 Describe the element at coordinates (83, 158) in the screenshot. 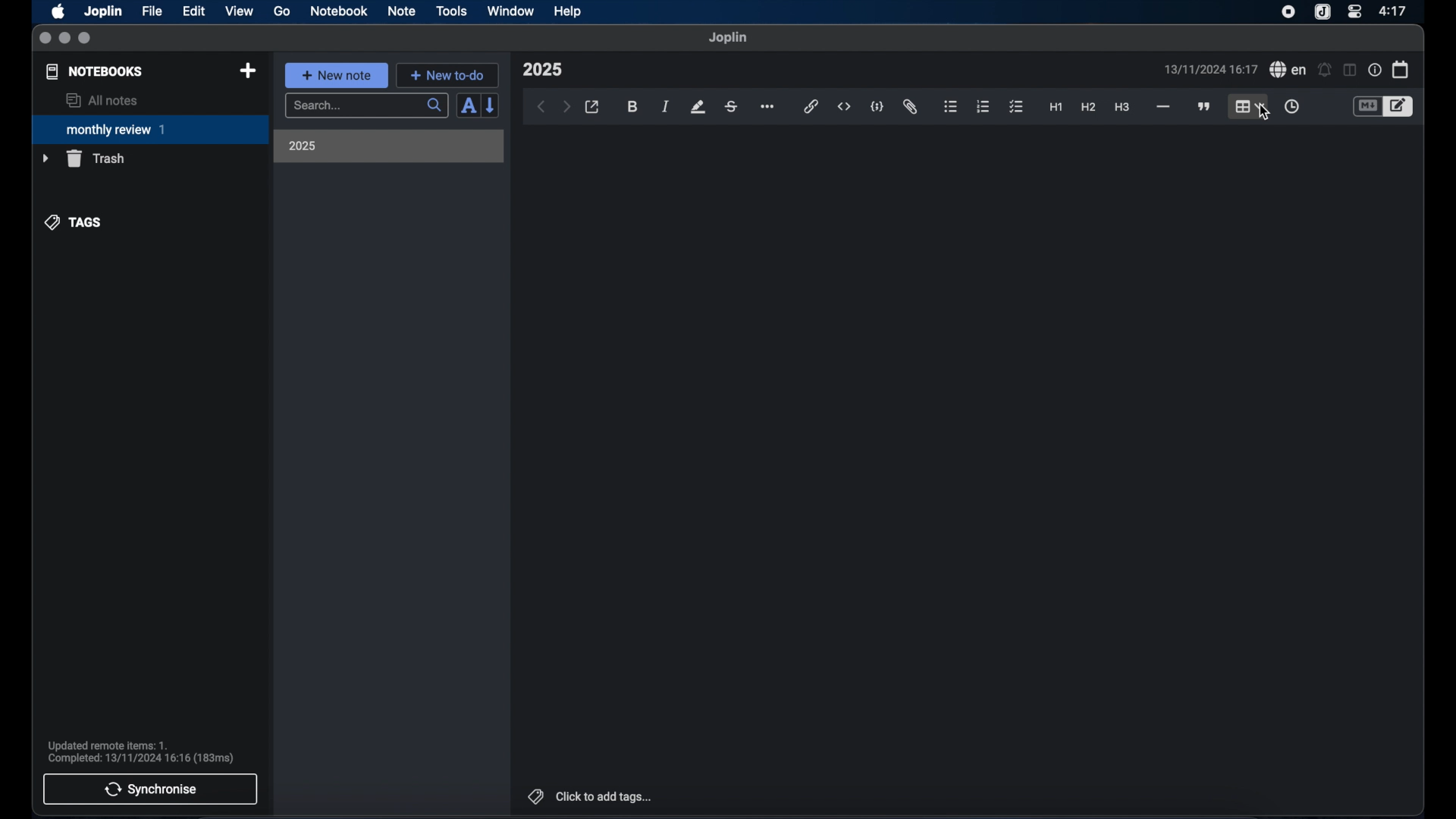

I see `trash` at that location.